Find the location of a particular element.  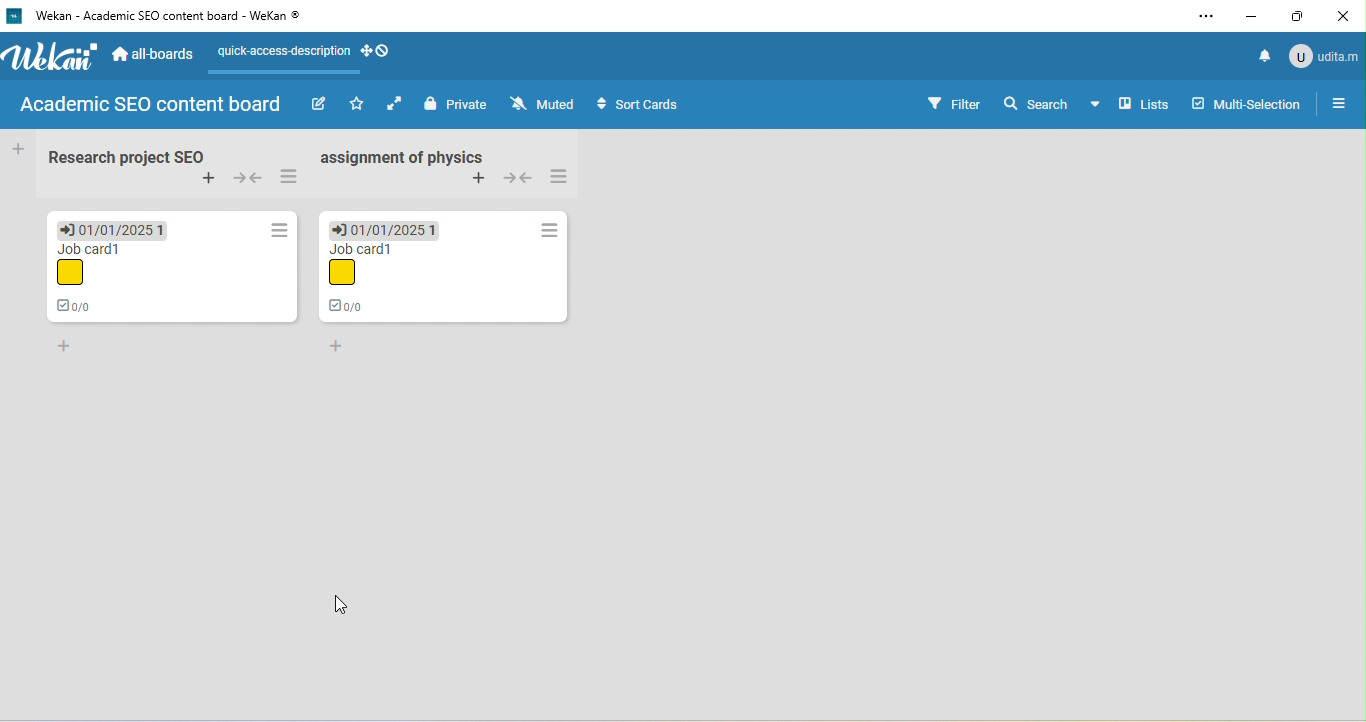

quick access description is located at coordinates (280, 57).